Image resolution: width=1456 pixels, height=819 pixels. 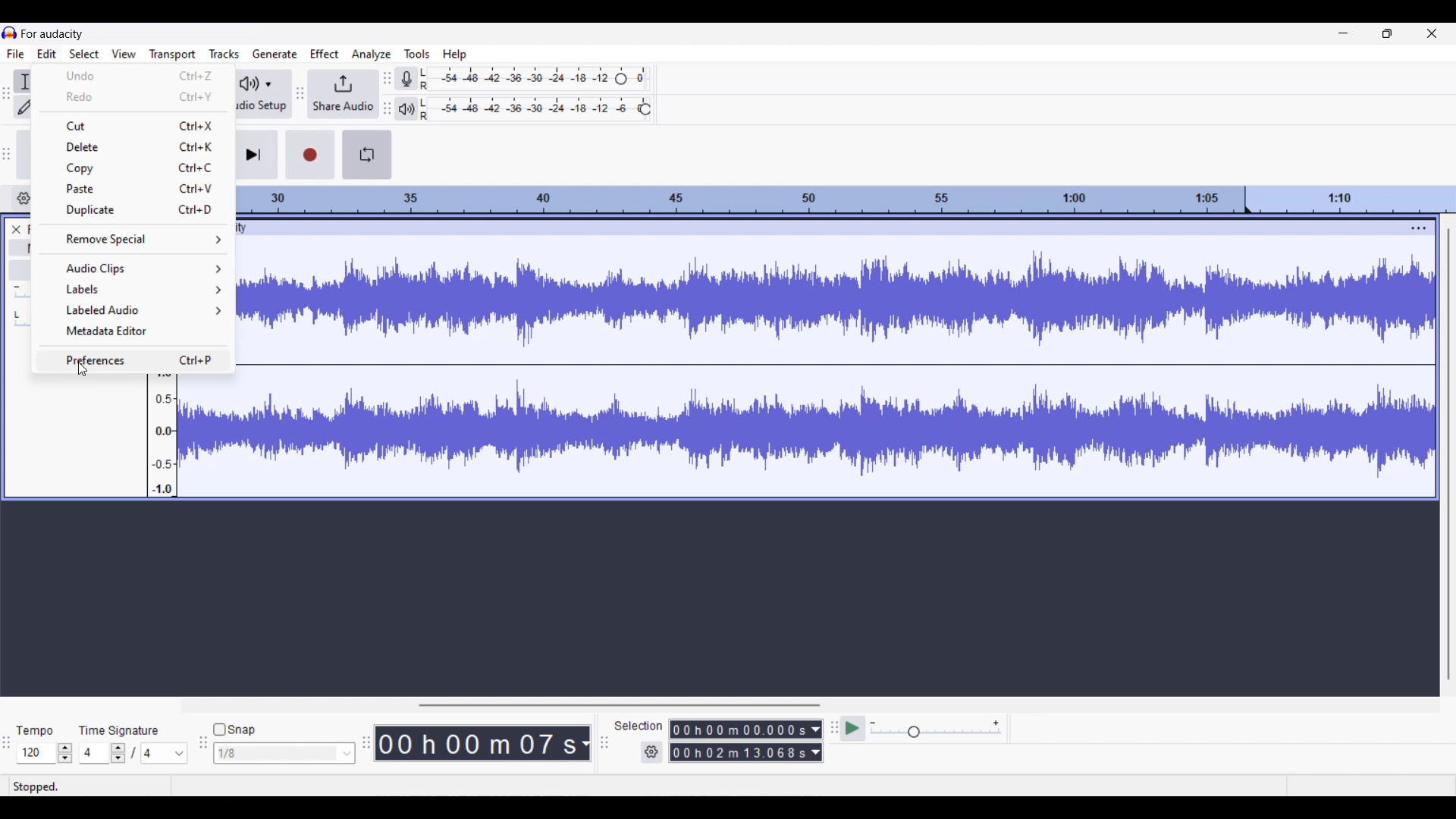 I want to click on Effects, so click(x=22, y=271).